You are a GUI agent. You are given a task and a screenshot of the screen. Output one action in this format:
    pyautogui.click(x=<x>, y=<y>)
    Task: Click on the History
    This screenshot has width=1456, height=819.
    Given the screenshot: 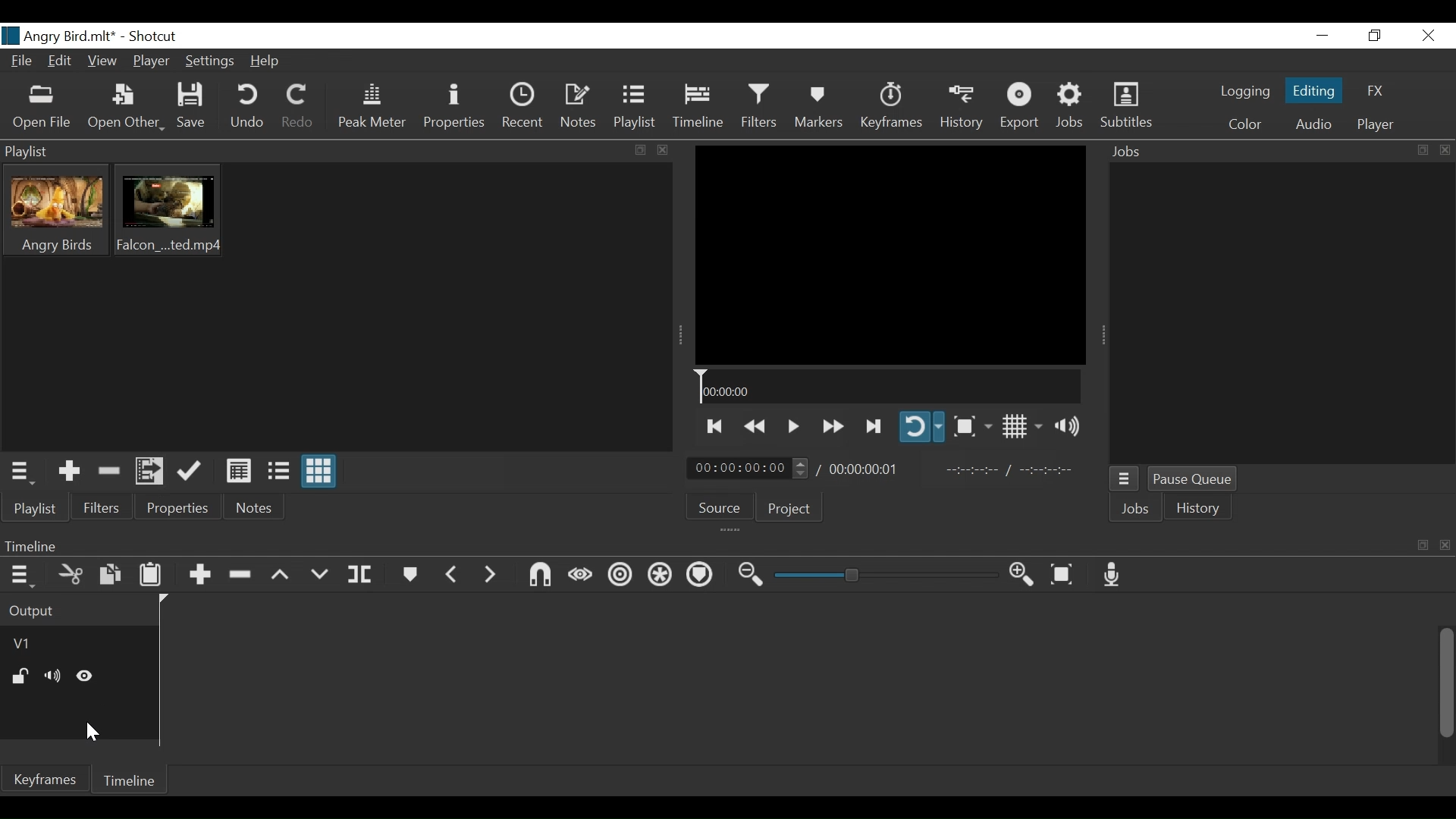 What is the action you would take?
    pyautogui.click(x=961, y=107)
    